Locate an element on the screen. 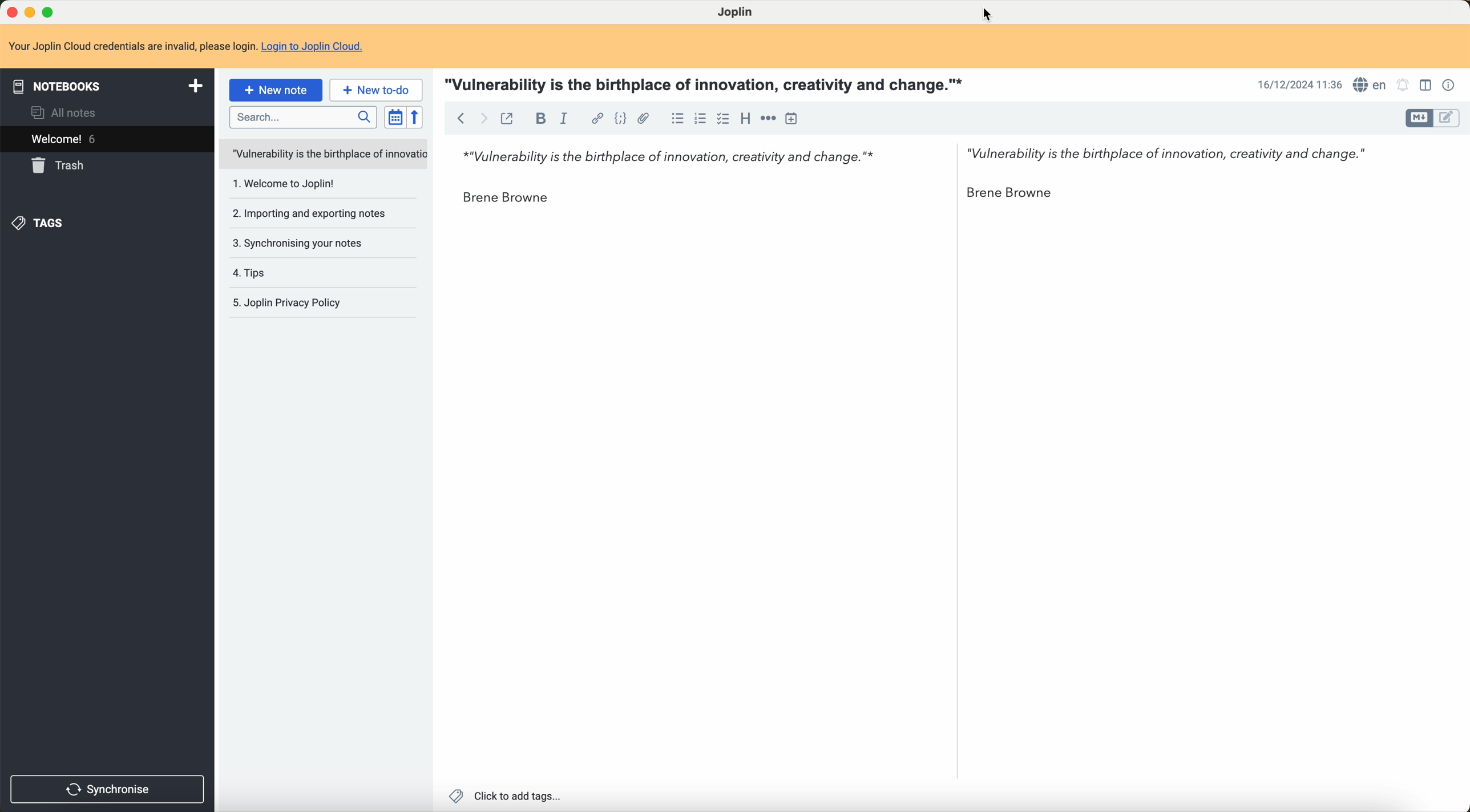 This screenshot has height=812, width=1470. toggle external editing is located at coordinates (510, 119).